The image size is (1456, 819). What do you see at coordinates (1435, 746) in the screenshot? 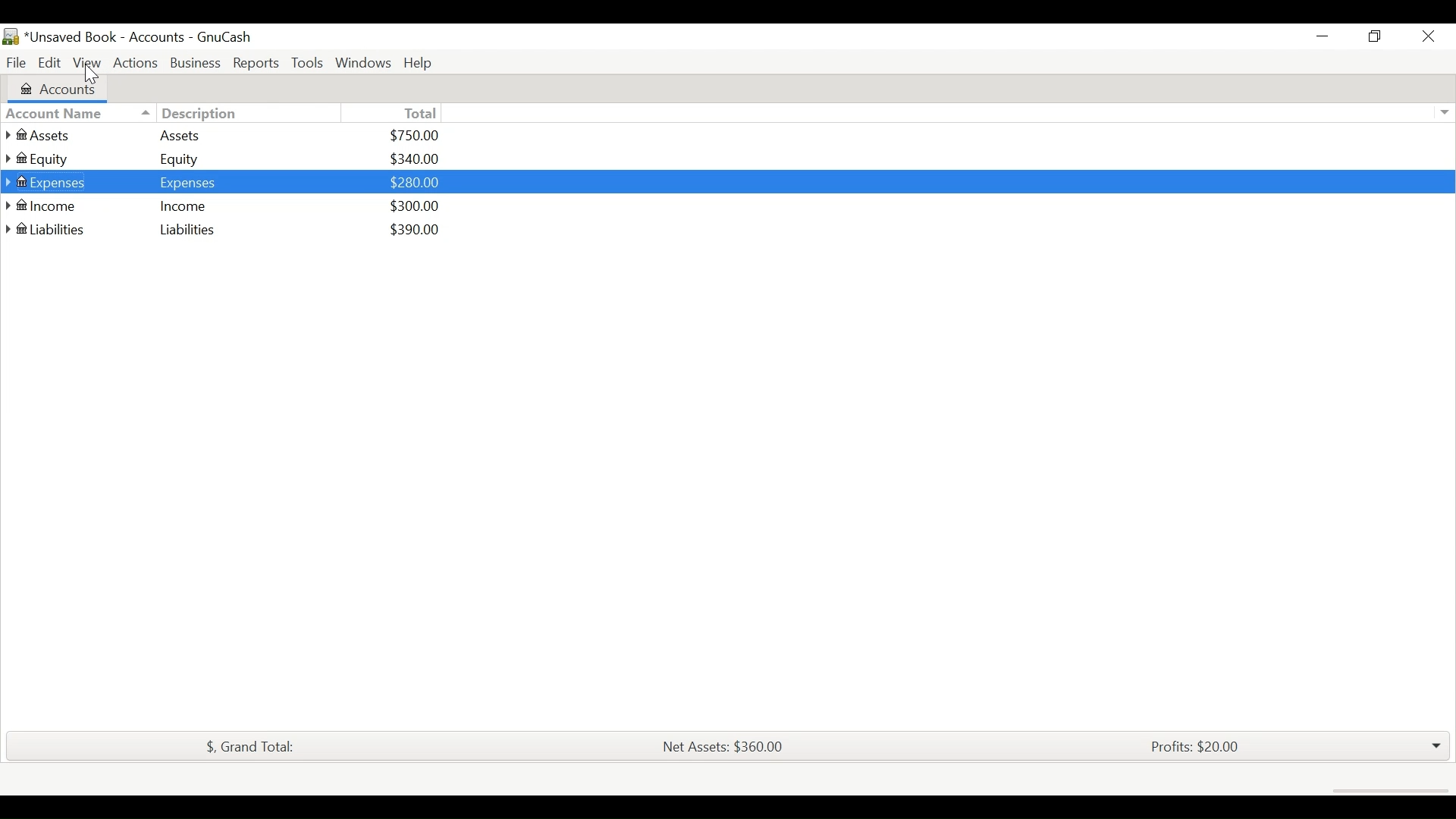
I see `drop down` at bounding box center [1435, 746].